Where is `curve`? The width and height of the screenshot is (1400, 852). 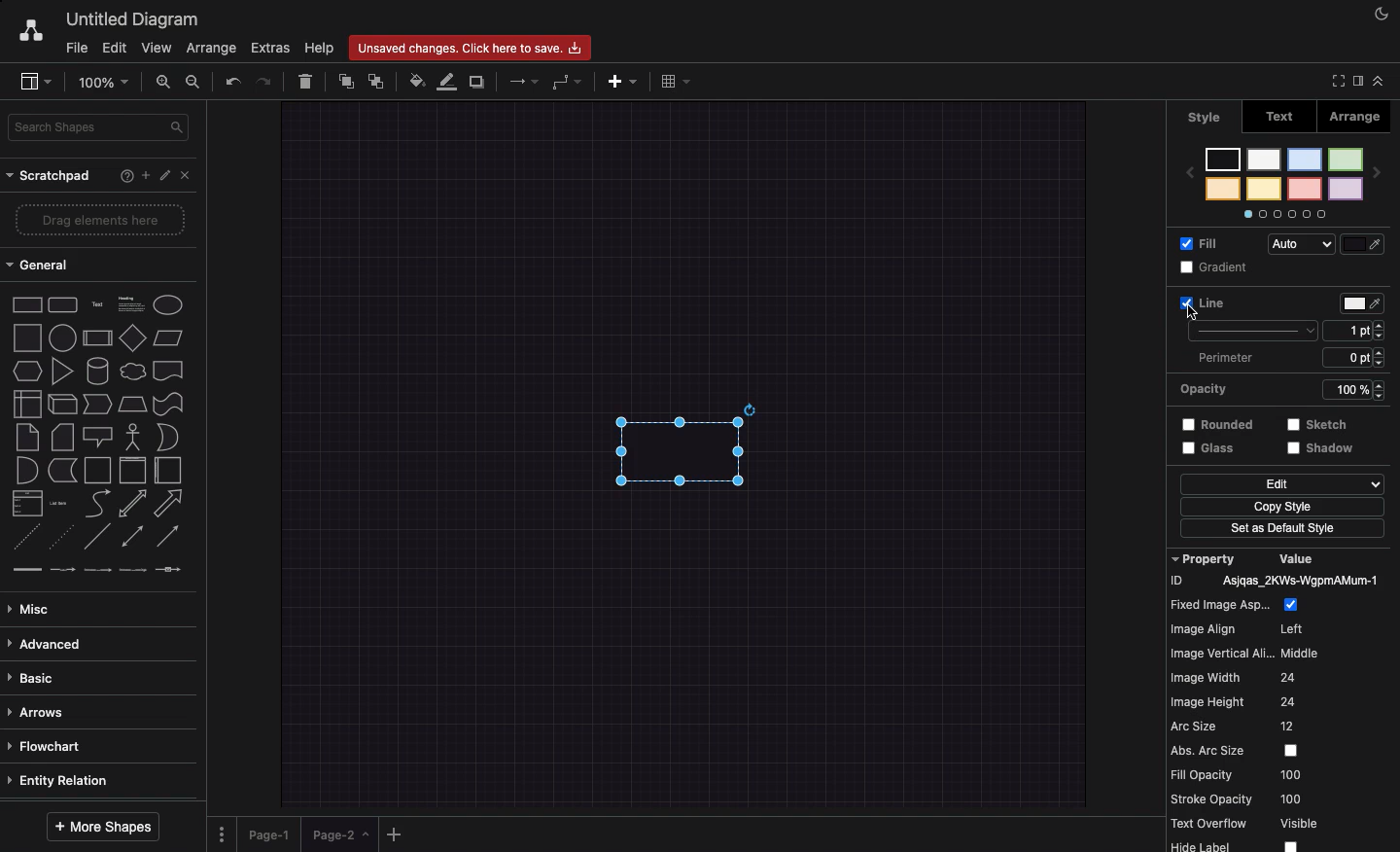 curve is located at coordinates (97, 503).